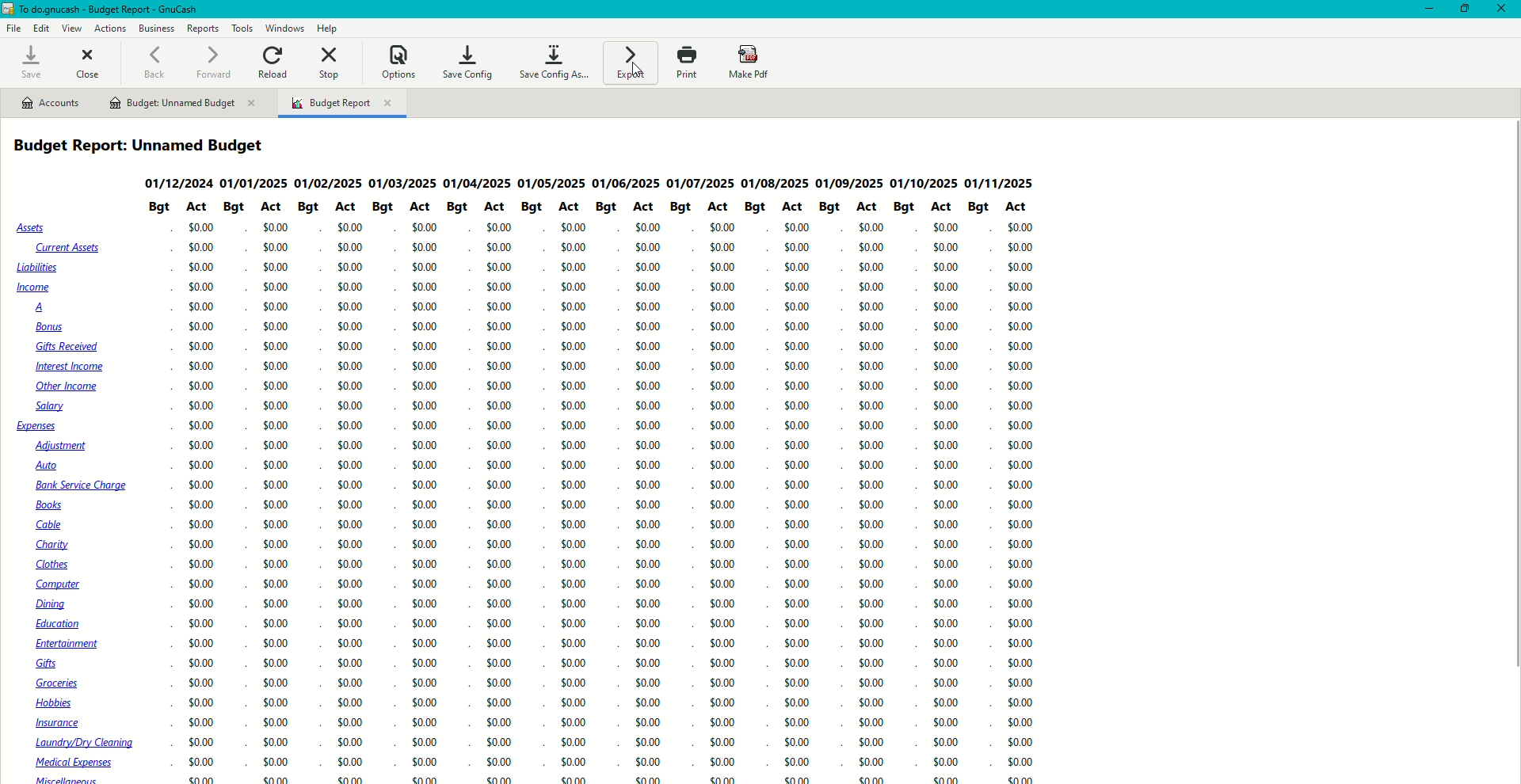  I want to click on $0.00, so click(650, 288).